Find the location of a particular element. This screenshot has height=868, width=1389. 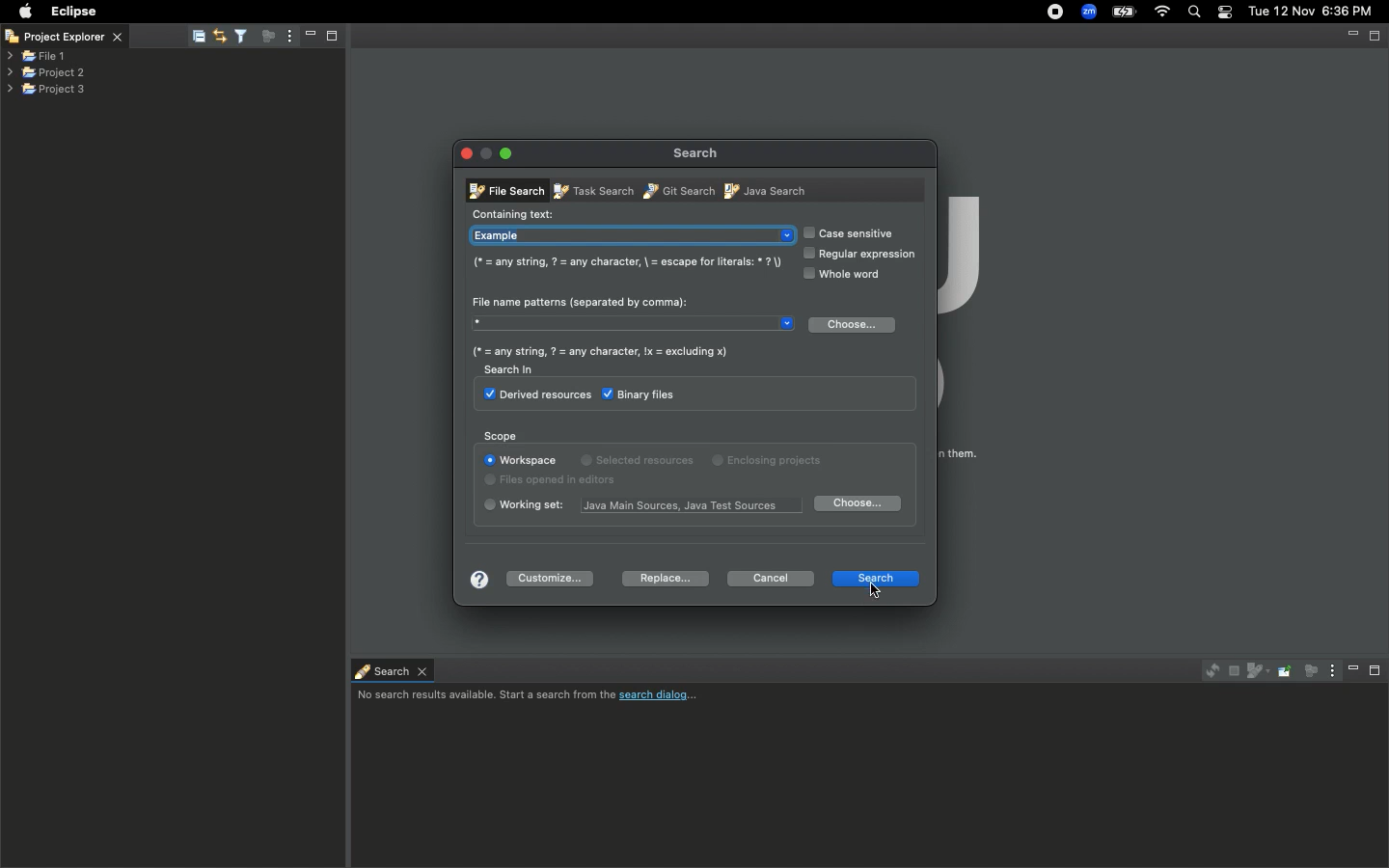

Cancel is located at coordinates (771, 579).